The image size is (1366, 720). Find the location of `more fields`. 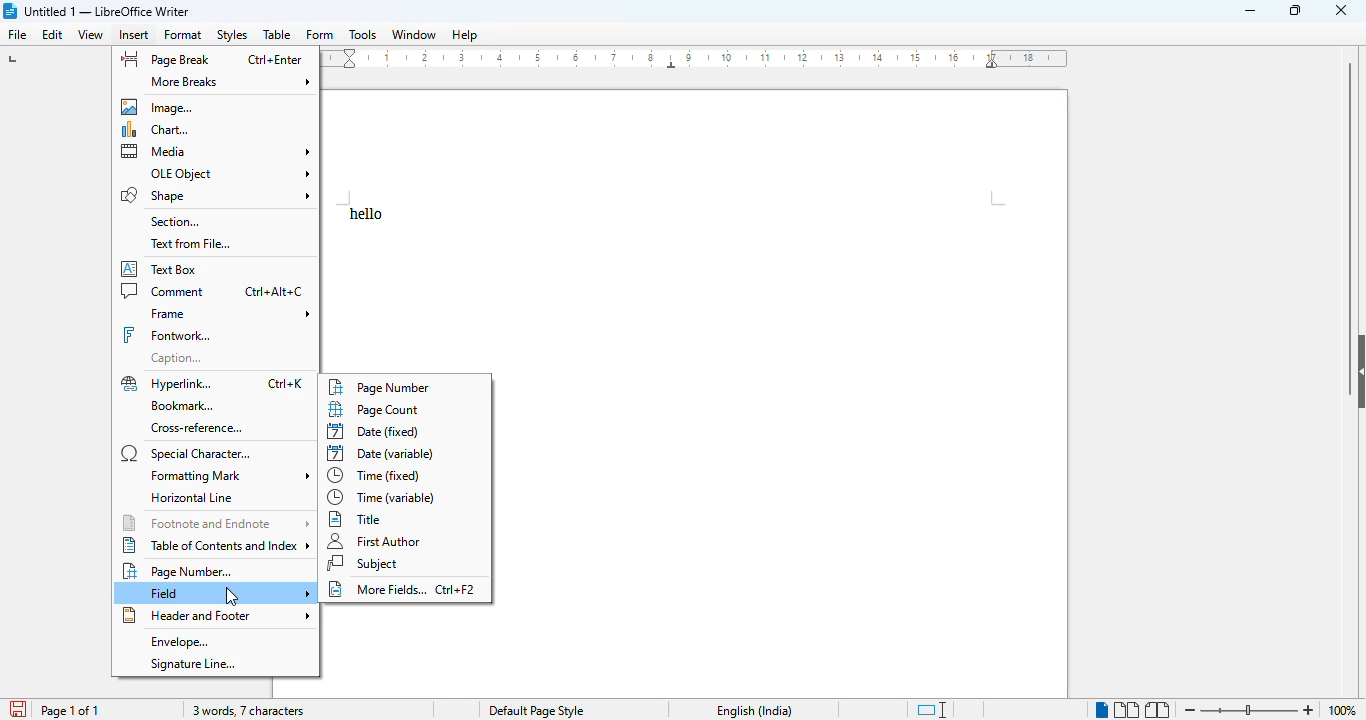

more fields is located at coordinates (402, 589).